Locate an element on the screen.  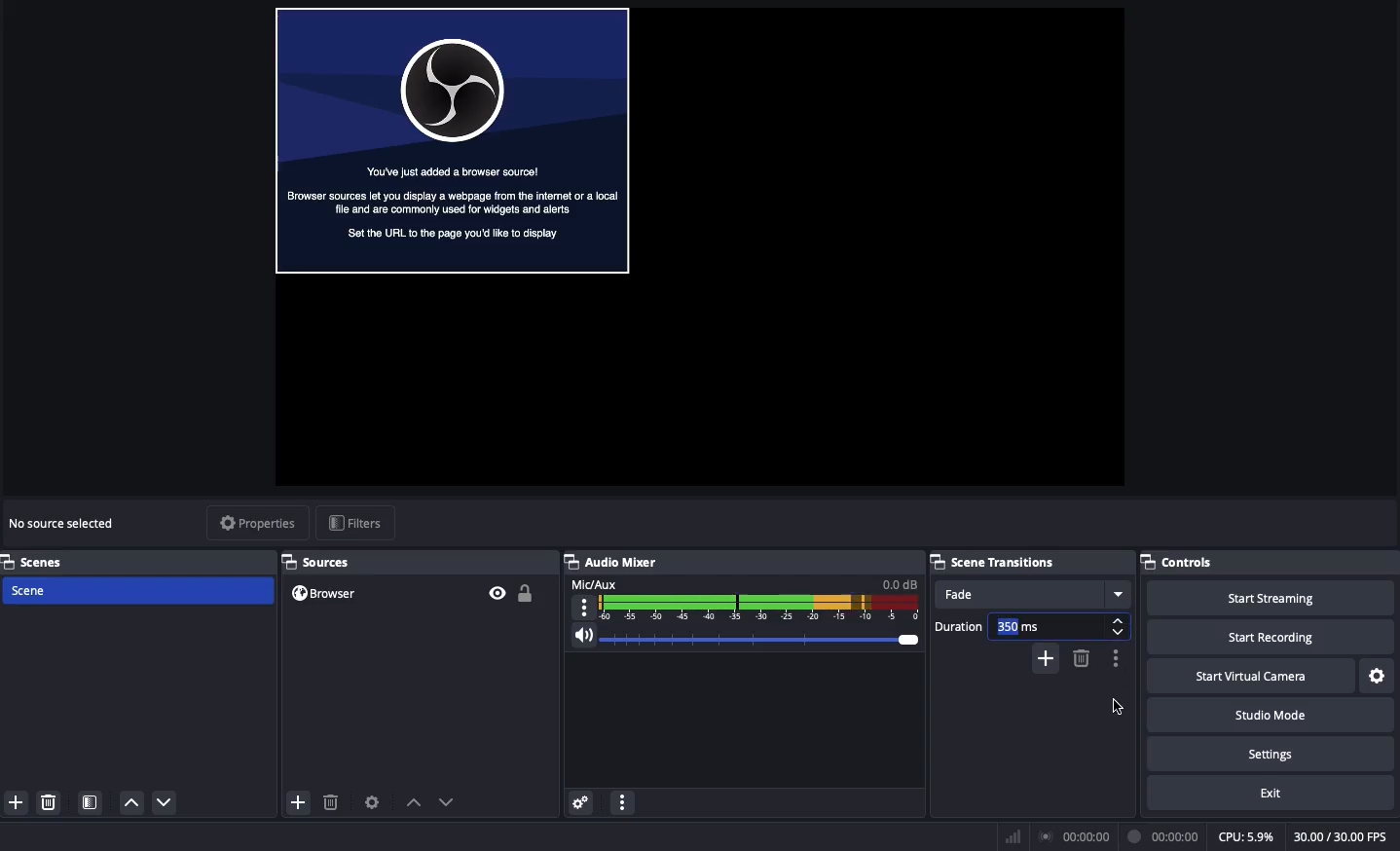
broadcast is located at coordinates (1161, 834).